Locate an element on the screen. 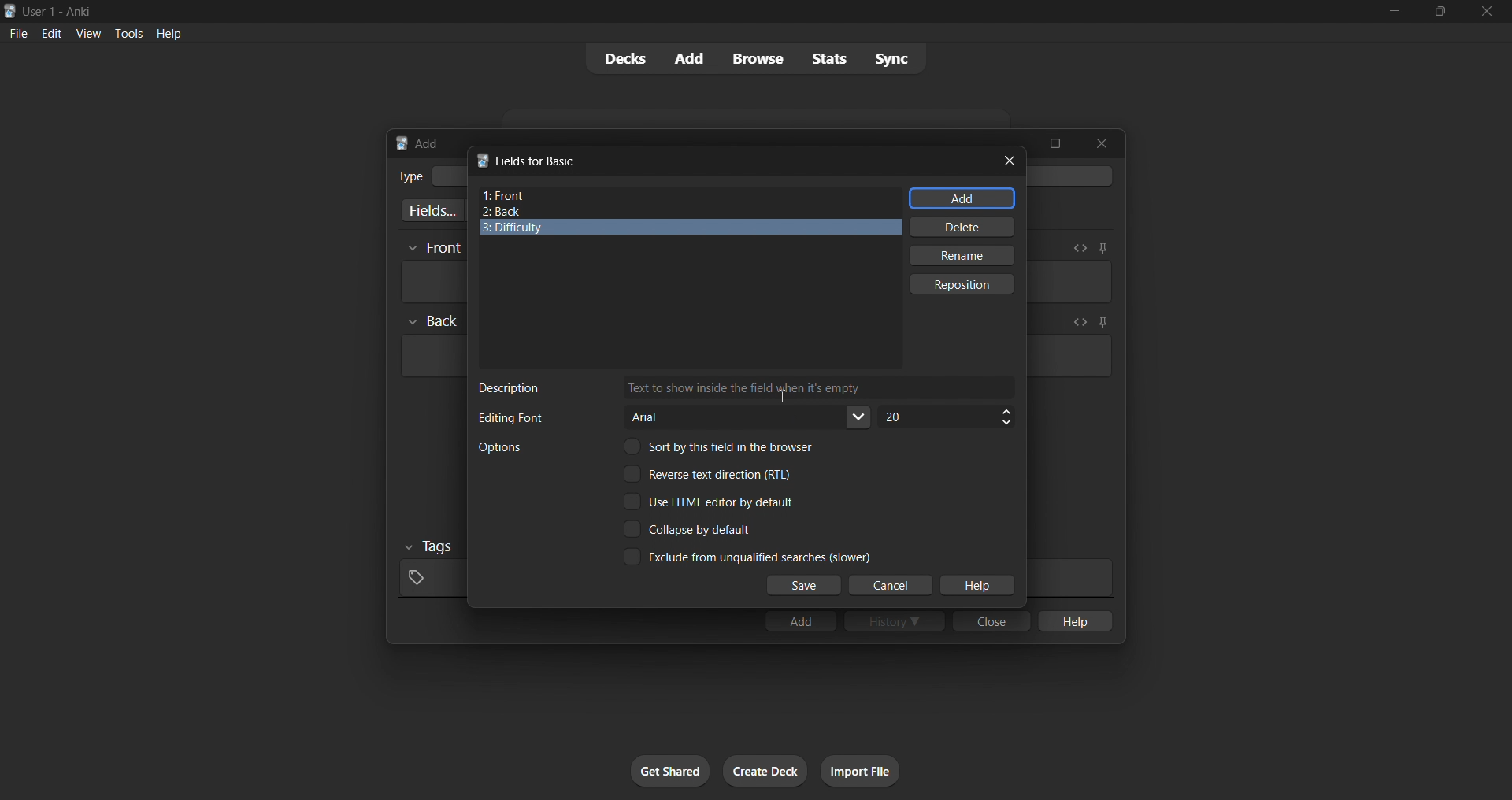 The image size is (1512, 800). decks is located at coordinates (623, 59).